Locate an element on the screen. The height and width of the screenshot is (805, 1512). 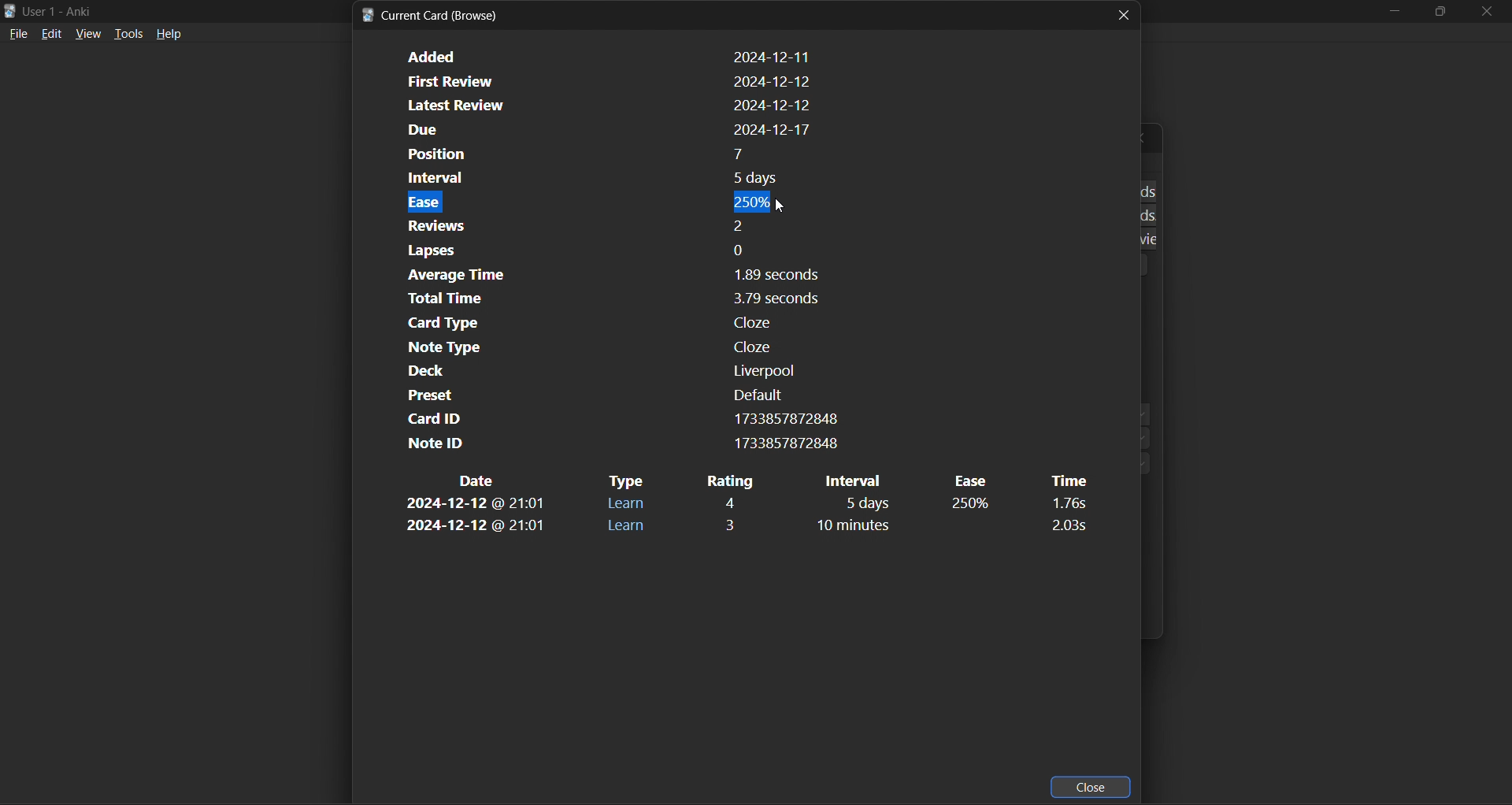
note id is located at coordinates (617, 443).